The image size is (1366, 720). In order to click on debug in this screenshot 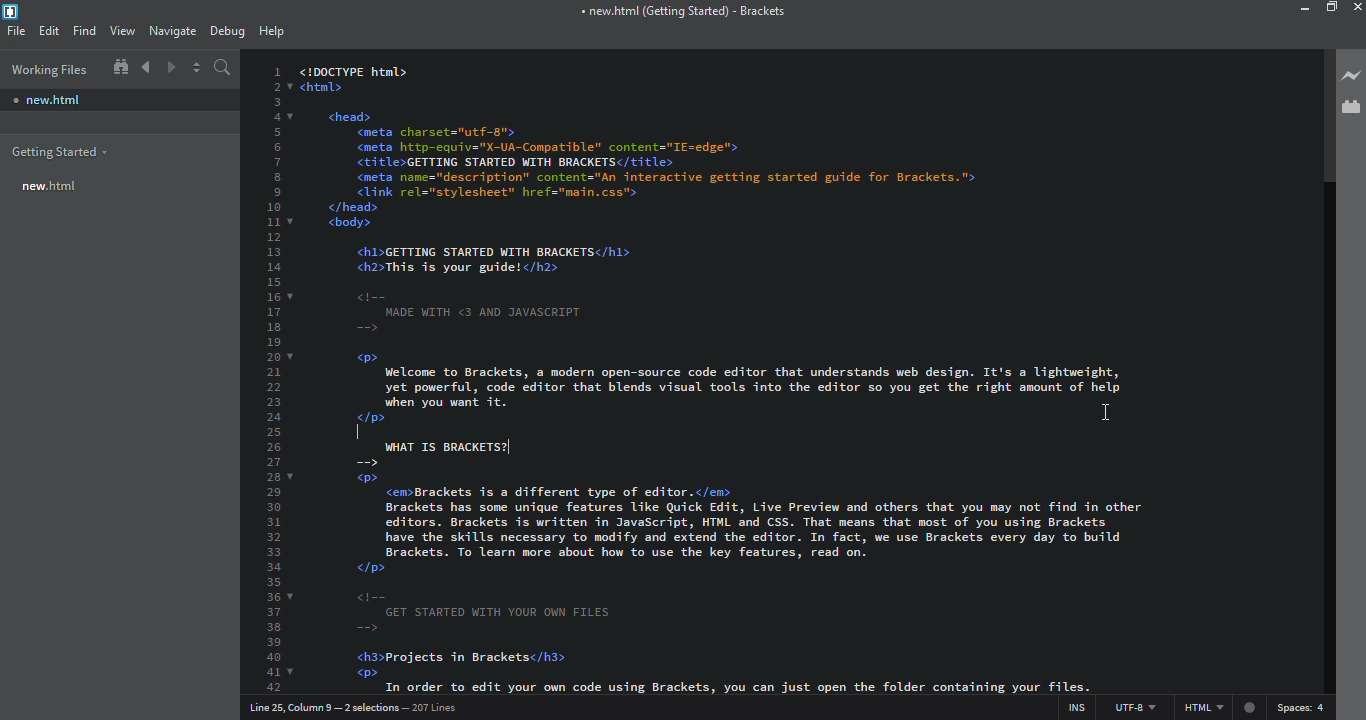, I will do `click(226, 28)`.